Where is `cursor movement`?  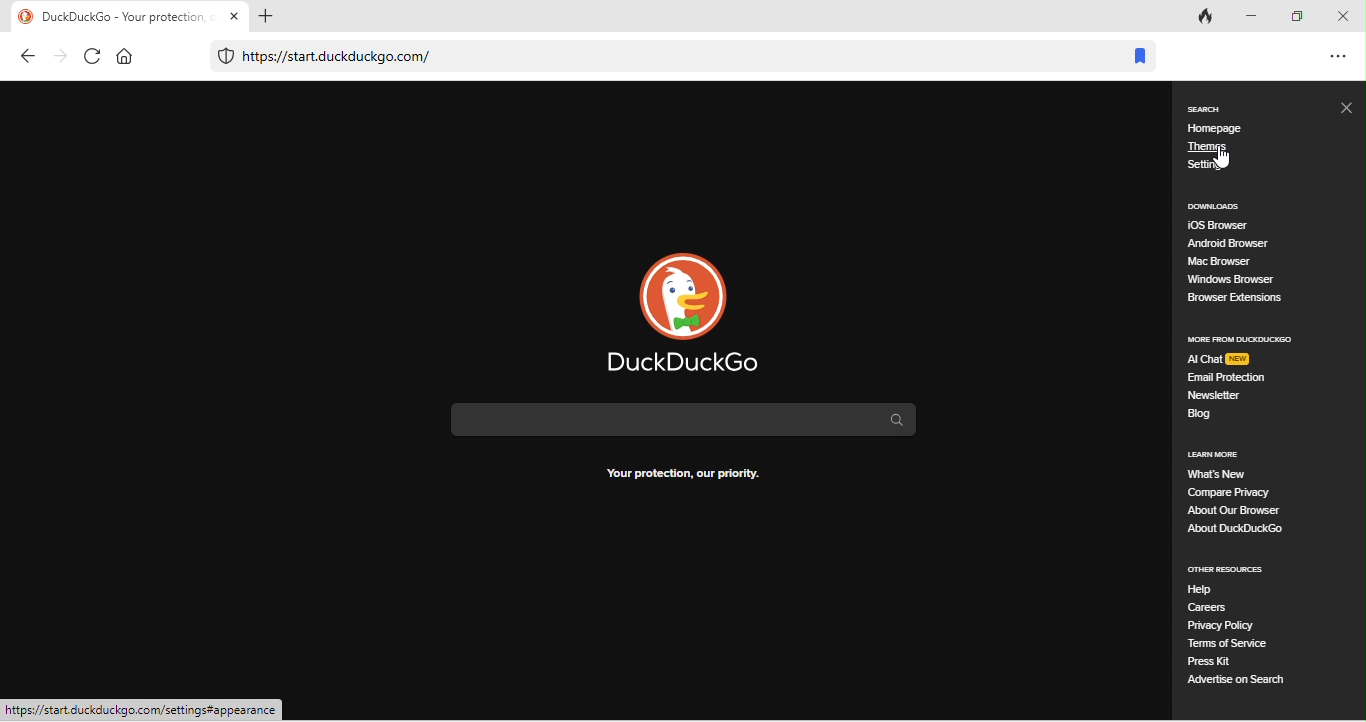 cursor movement is located at coordinates (1224, 161).